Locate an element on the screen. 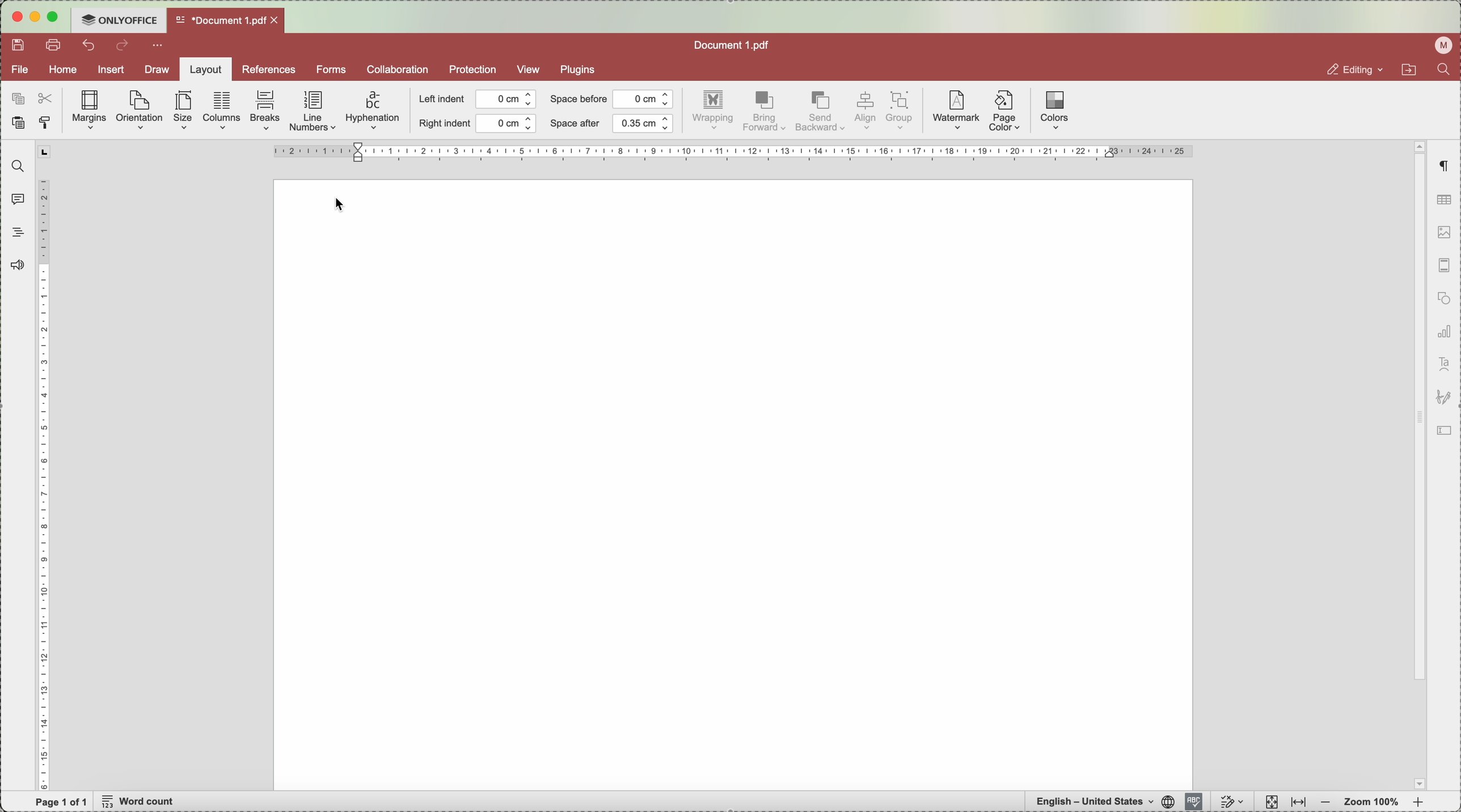  margins is located at coordinates (90, 111).